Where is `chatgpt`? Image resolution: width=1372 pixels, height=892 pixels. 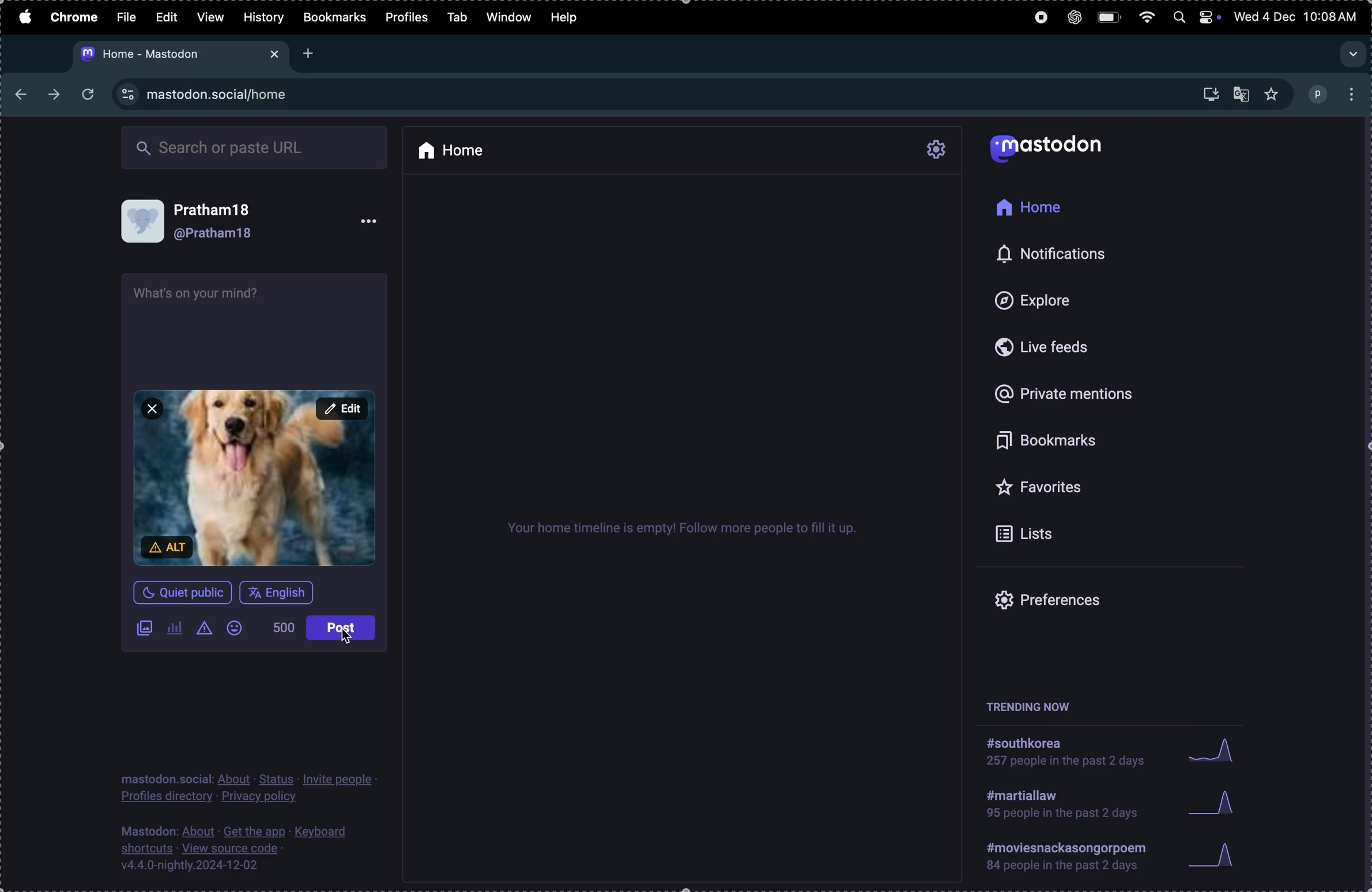
chatgpt is located at coordinates (1069, 17).